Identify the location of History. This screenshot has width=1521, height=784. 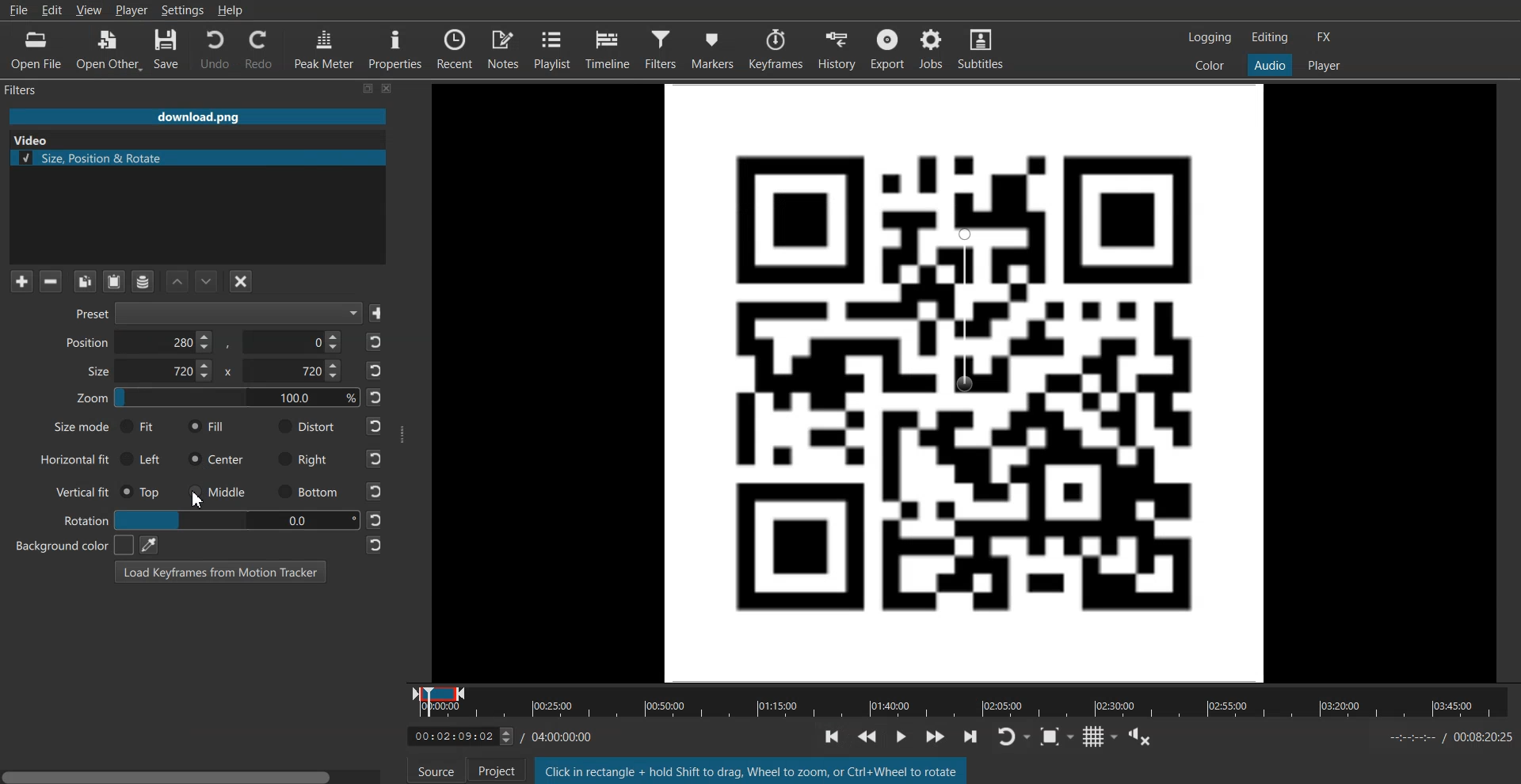
(836, 48).